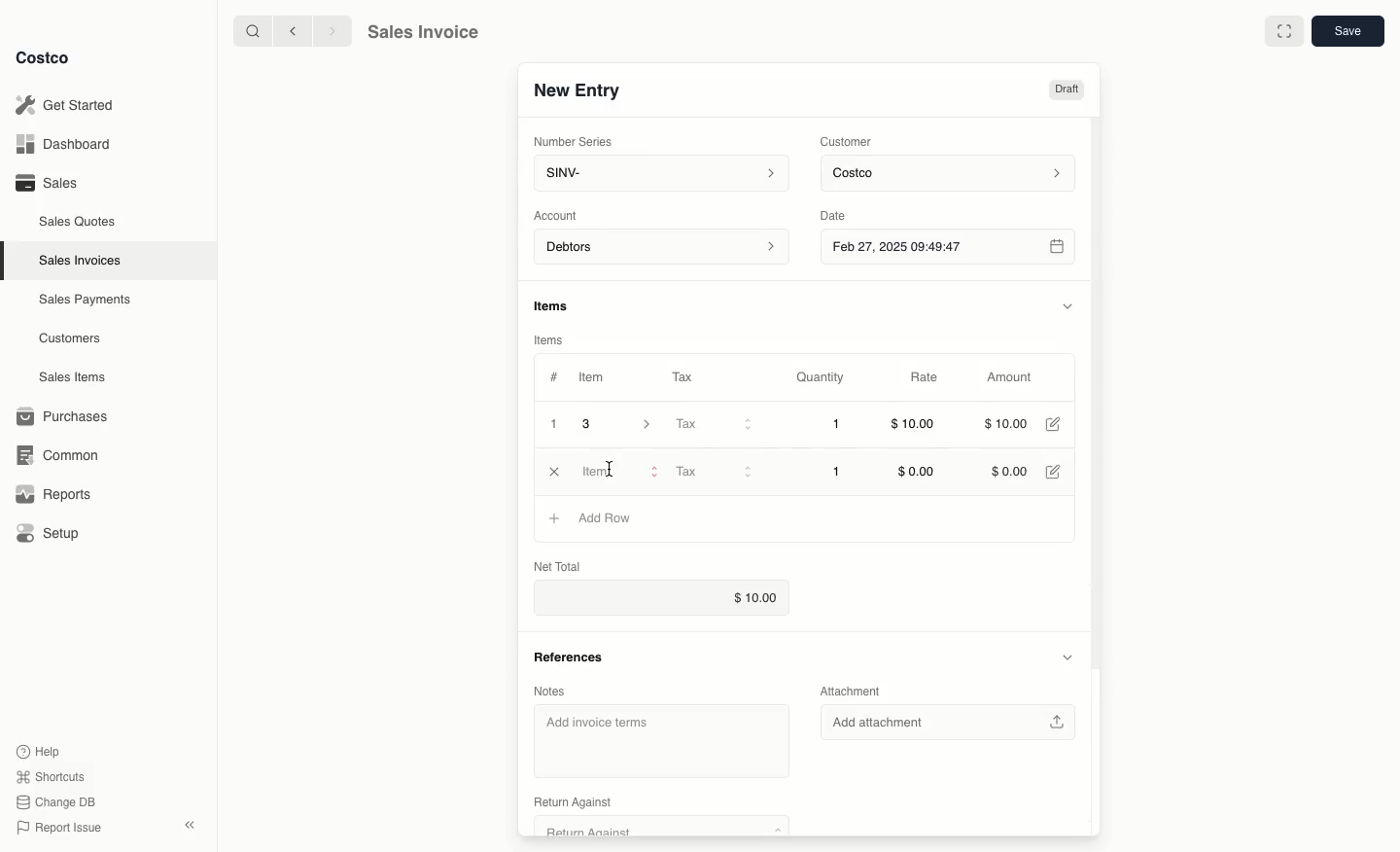  I want to click on 1, so click(838, 426).